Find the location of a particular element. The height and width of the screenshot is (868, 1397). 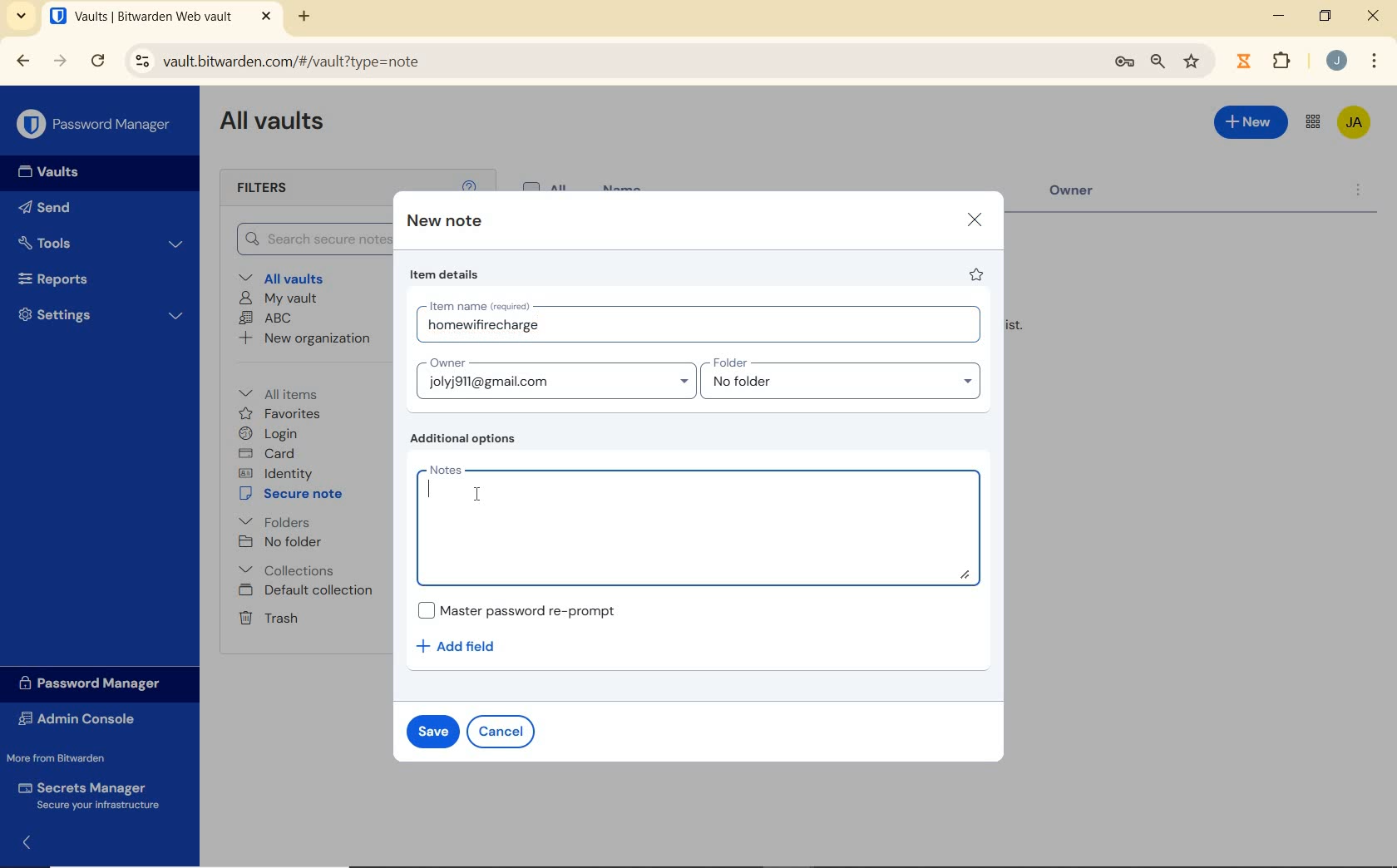

reload is located at coordinates (97, 62).